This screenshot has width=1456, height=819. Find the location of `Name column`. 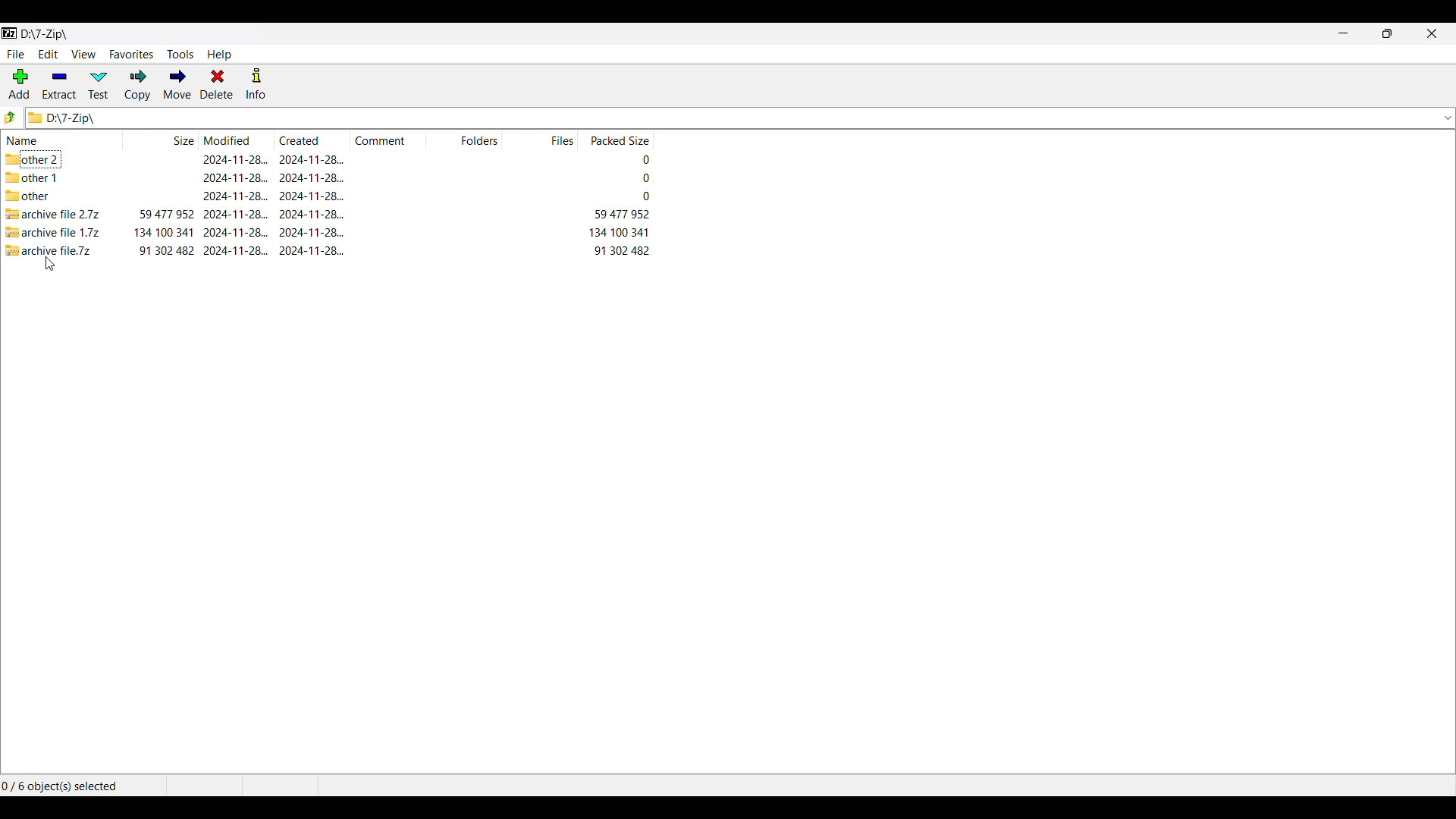

Name column is located at coordinates (63, 140).